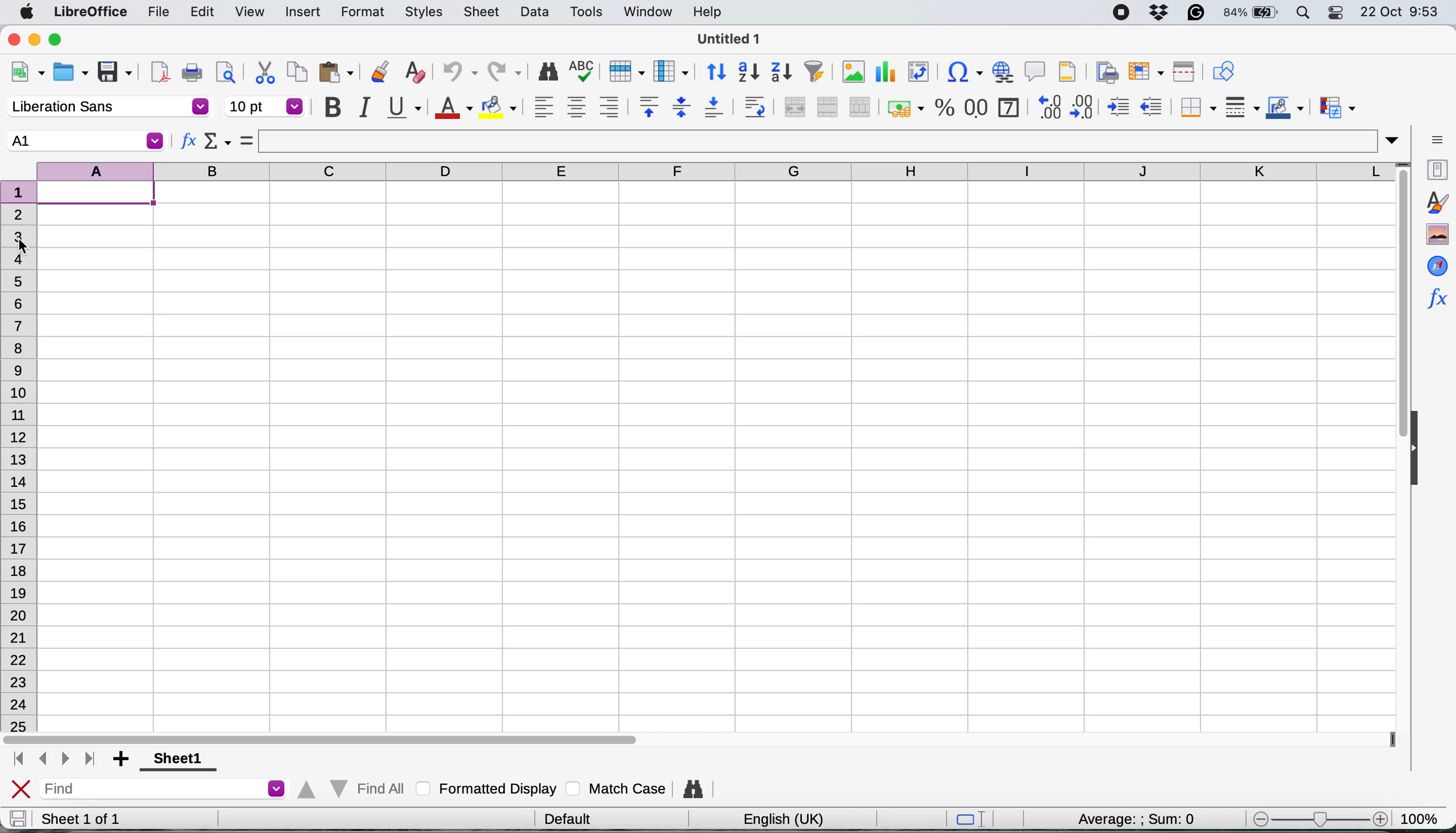 This screenshot has height=833, width=1456. I want to click on 100%, so click(1423, 816).